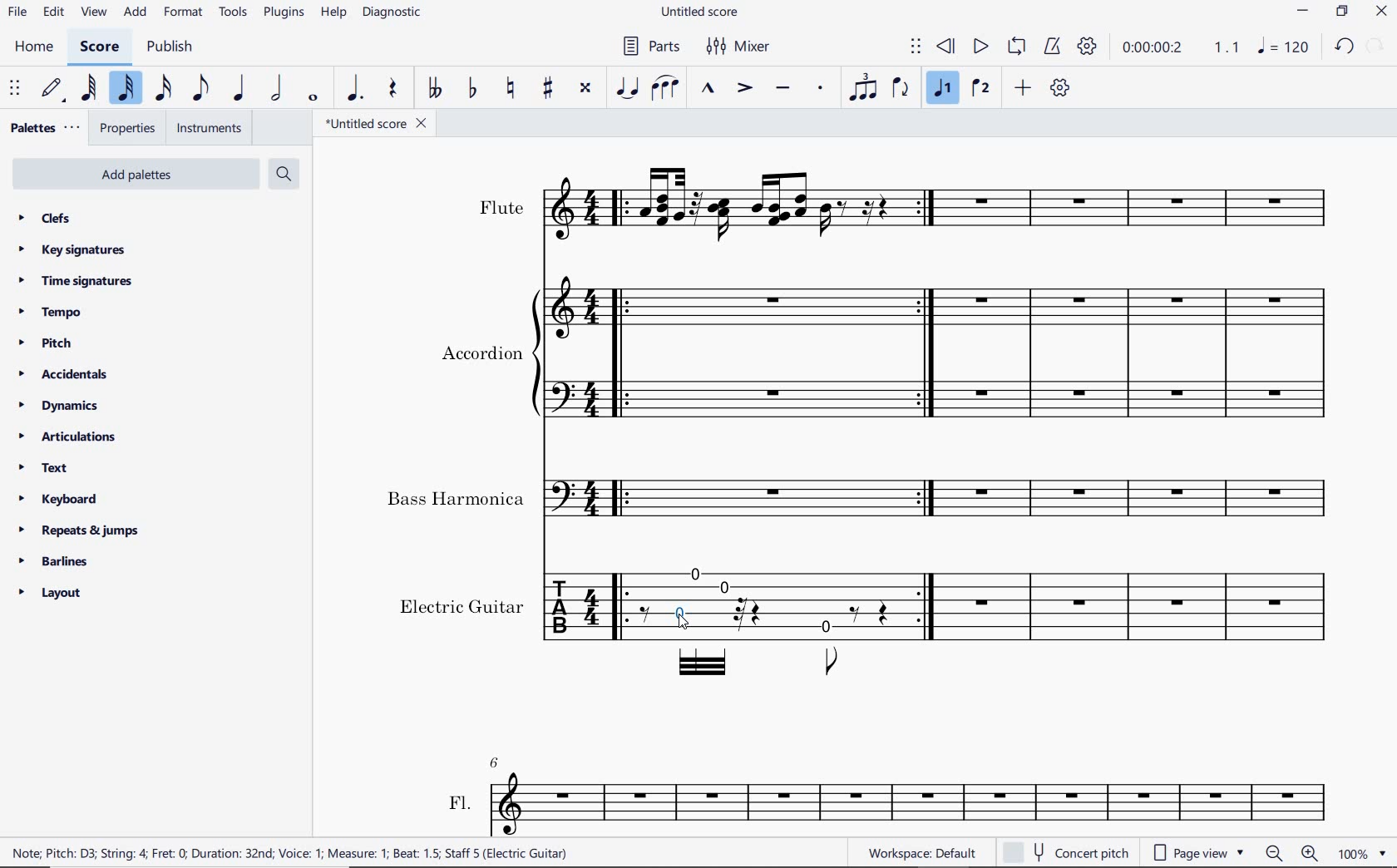 The height and width of the screenshot is (868, 1397). What do you see at coordinates (979, 47) in the screenshot?
I see `play` at bounding box center [979, 47].